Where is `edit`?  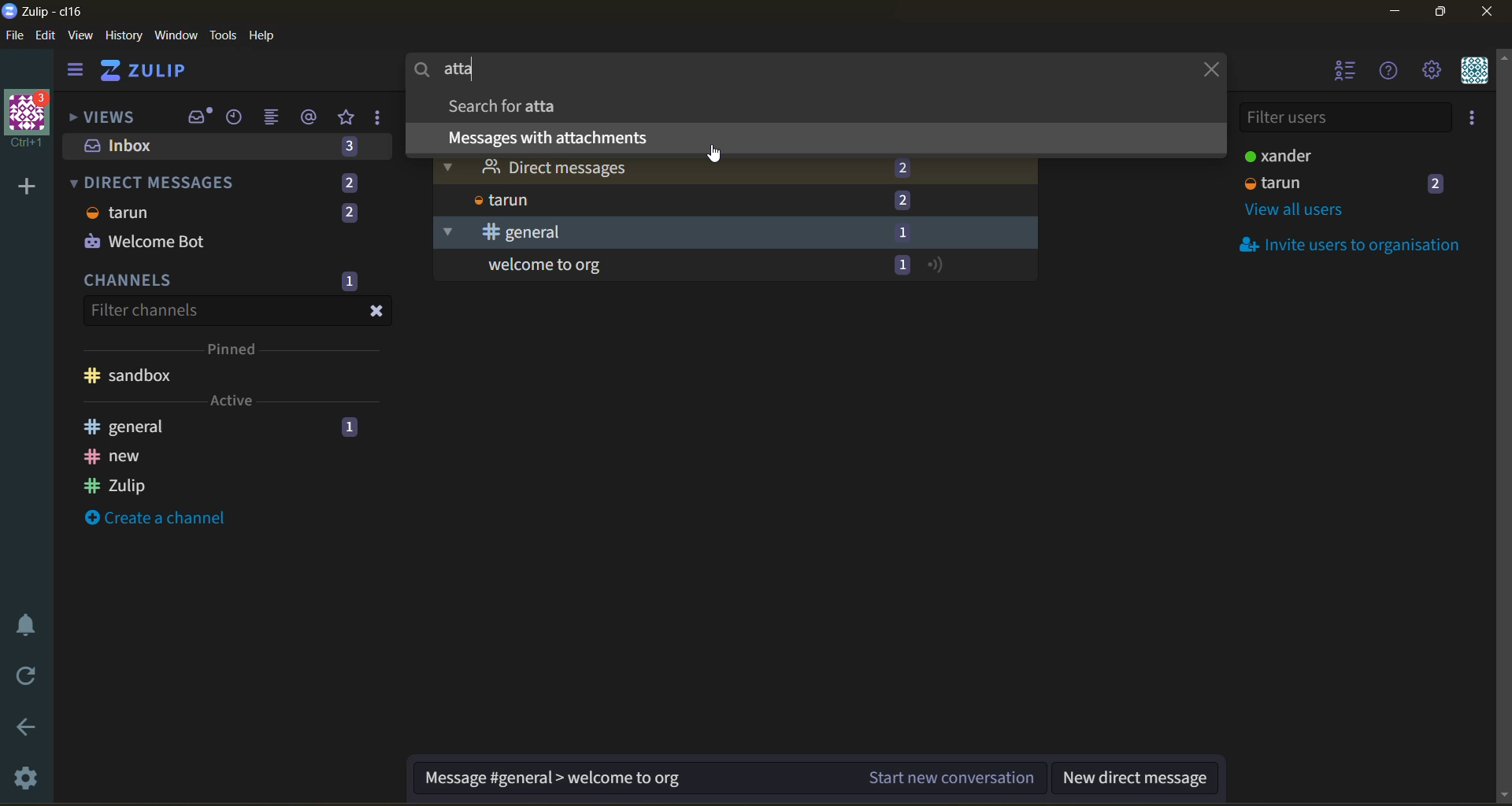 edit is located at coordinates (46, 36).